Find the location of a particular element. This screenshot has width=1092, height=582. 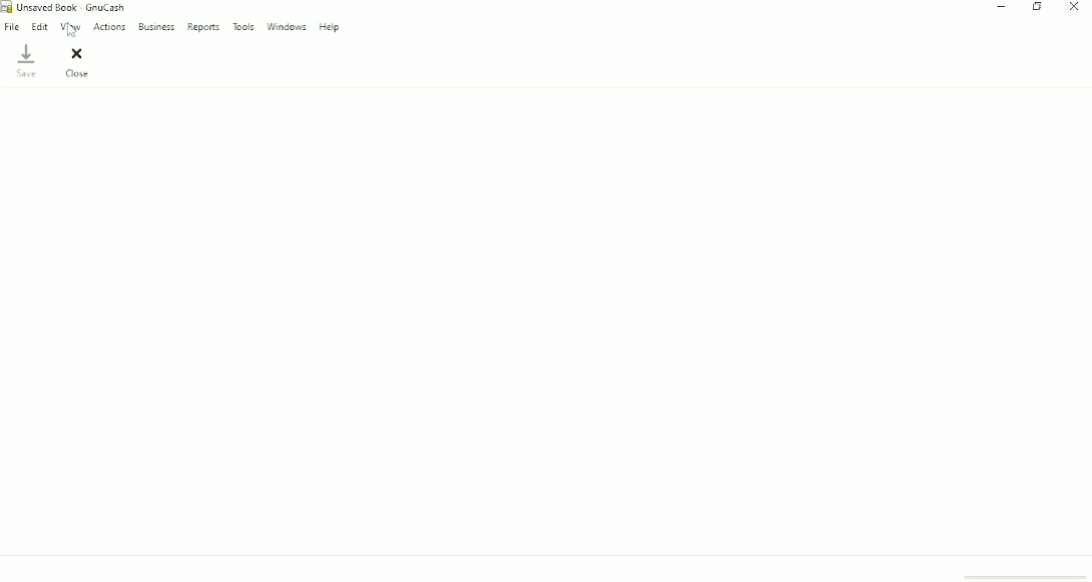

Close is located at coordinates (1076, 8).